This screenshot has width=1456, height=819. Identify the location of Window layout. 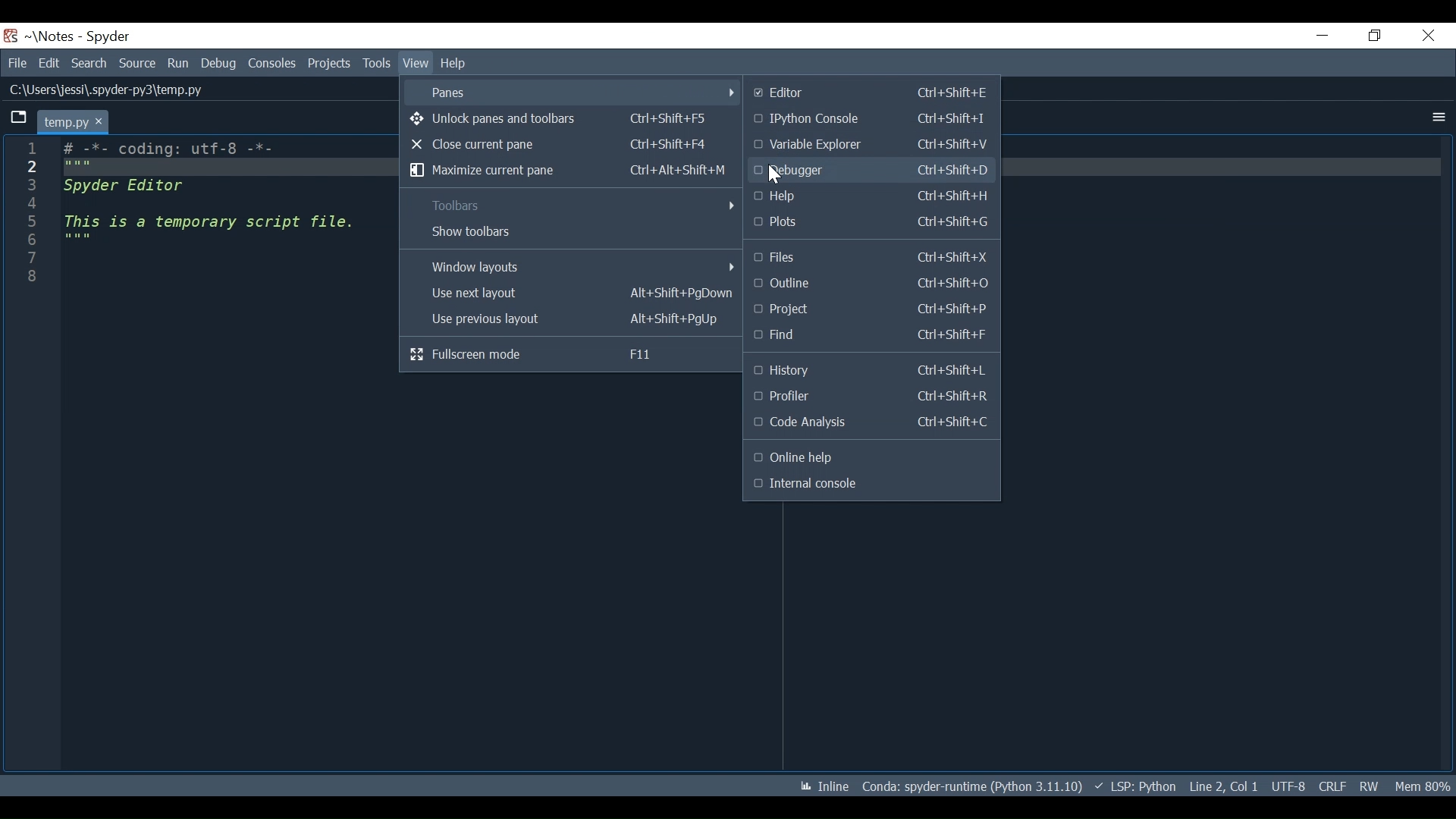
(574, 267).